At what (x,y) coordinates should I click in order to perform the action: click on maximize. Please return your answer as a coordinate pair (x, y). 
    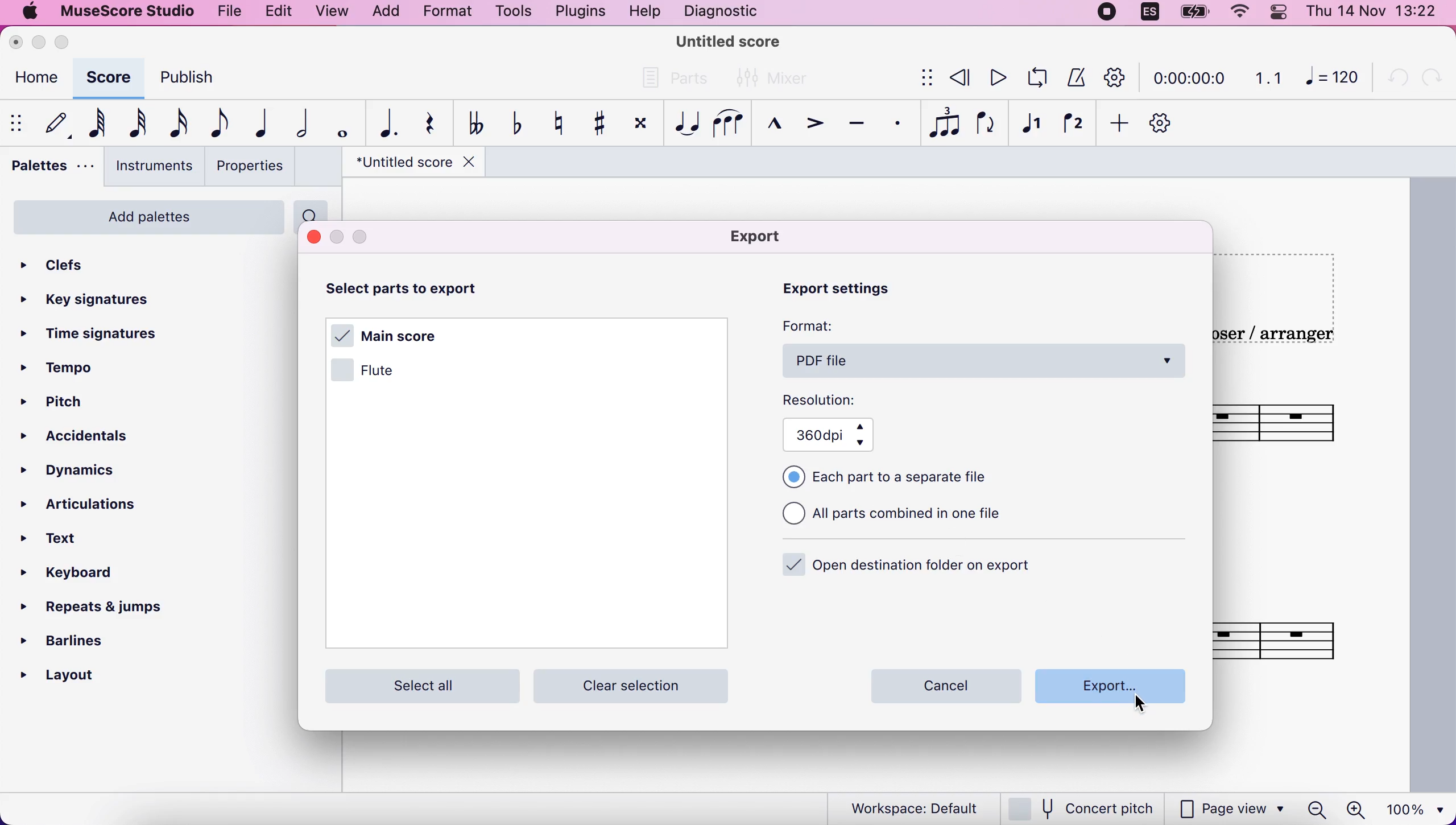
    Looking at the image, I should click on (367, 237).